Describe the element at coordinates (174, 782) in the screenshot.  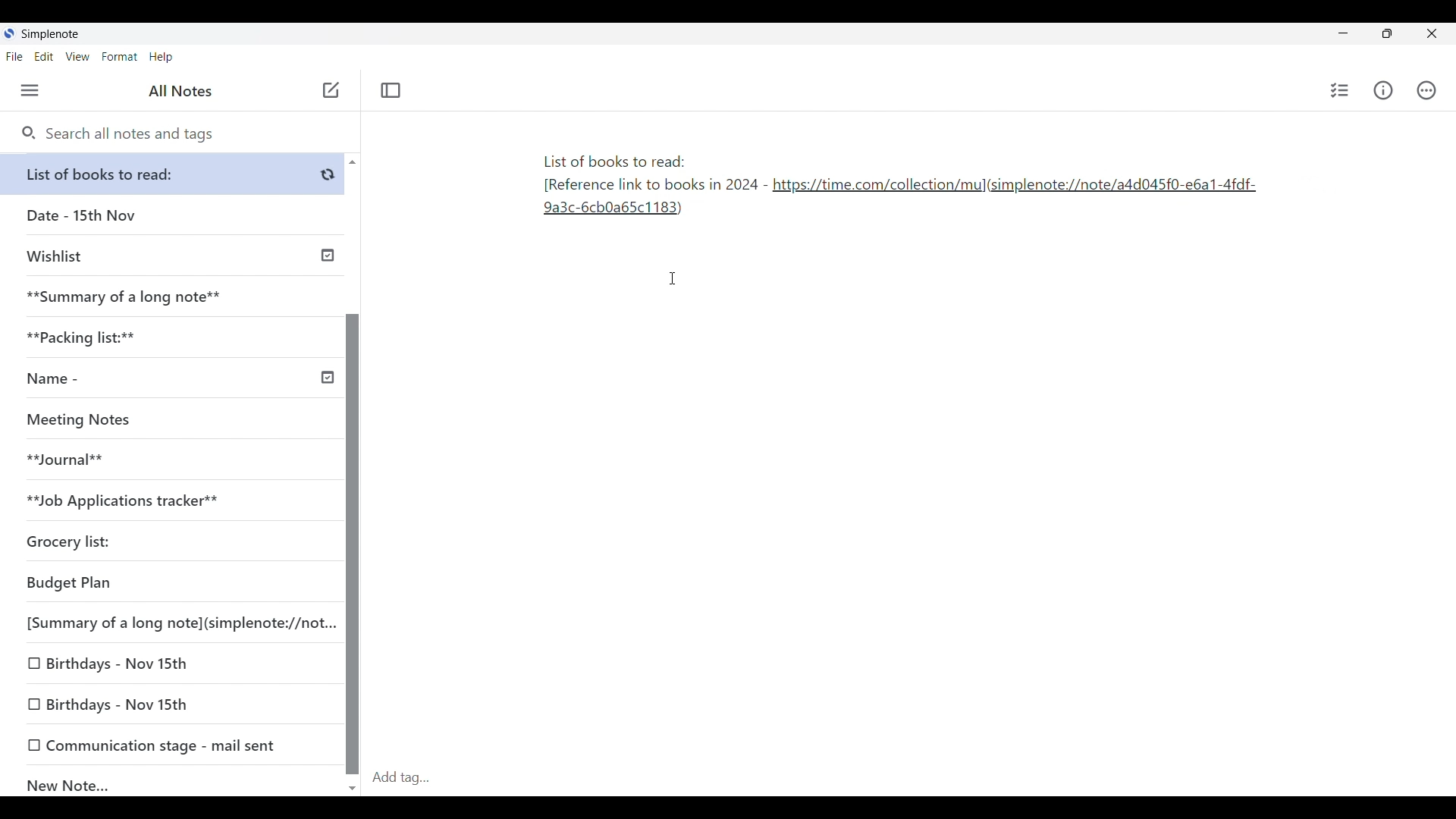
I see `New Note...` at that location.